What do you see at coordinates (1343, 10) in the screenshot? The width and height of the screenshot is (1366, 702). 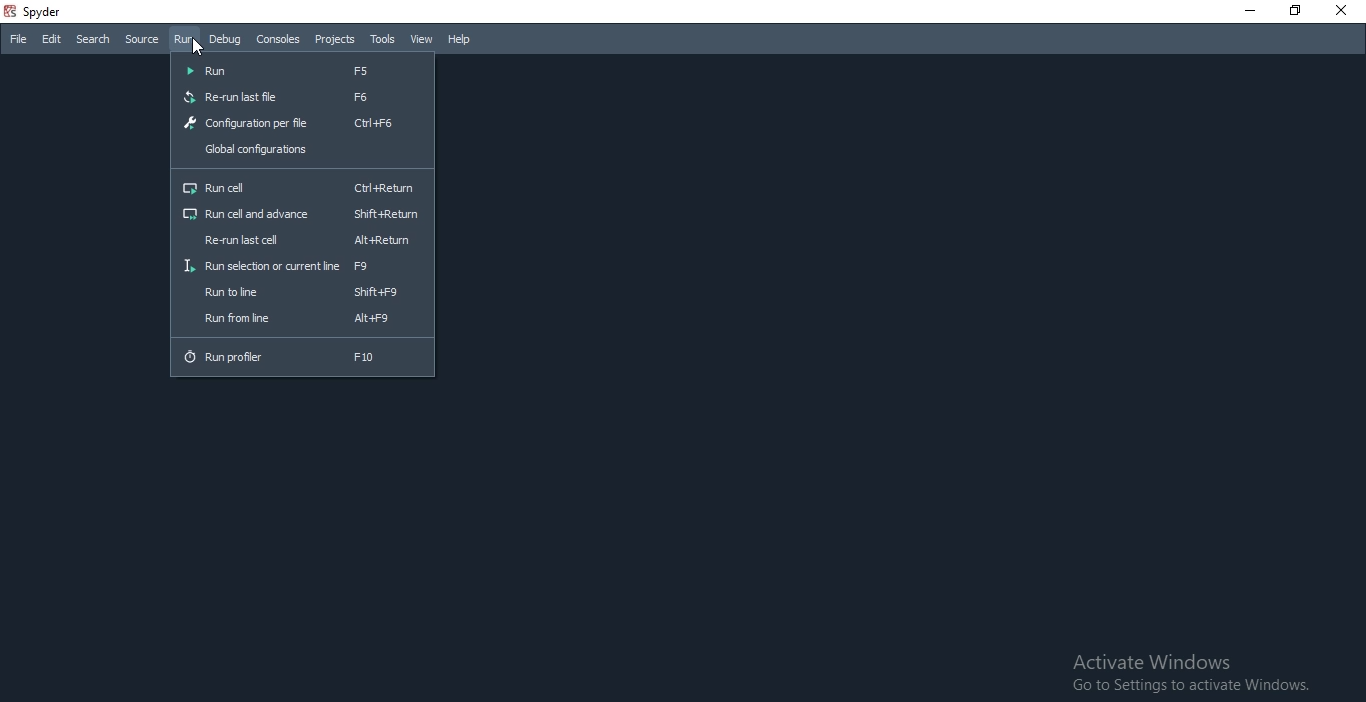 I see `Close` at bounding box center [1343, 10].